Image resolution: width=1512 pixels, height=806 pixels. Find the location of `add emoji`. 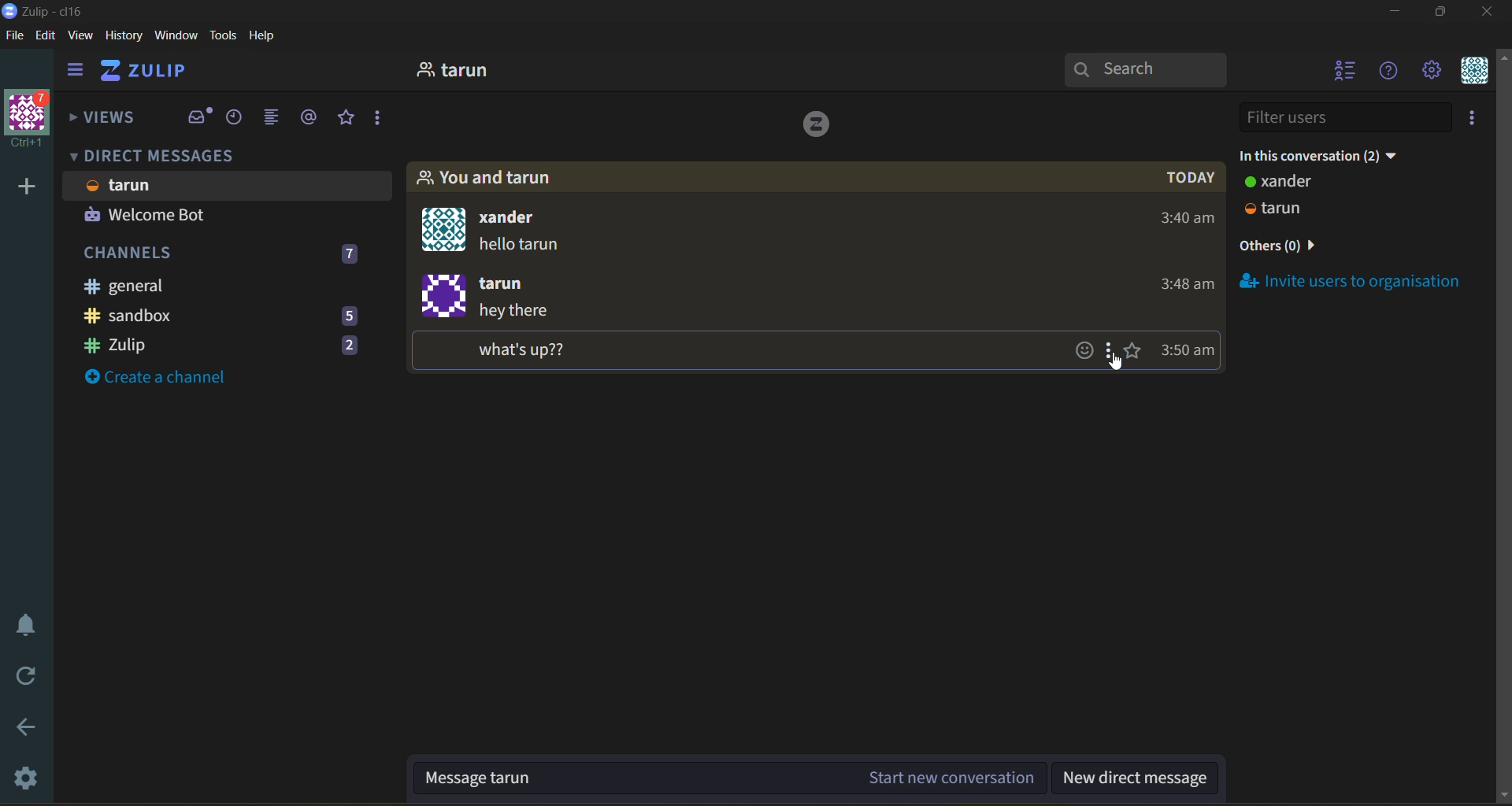

add emoji is located at coordinates (1085, 350).